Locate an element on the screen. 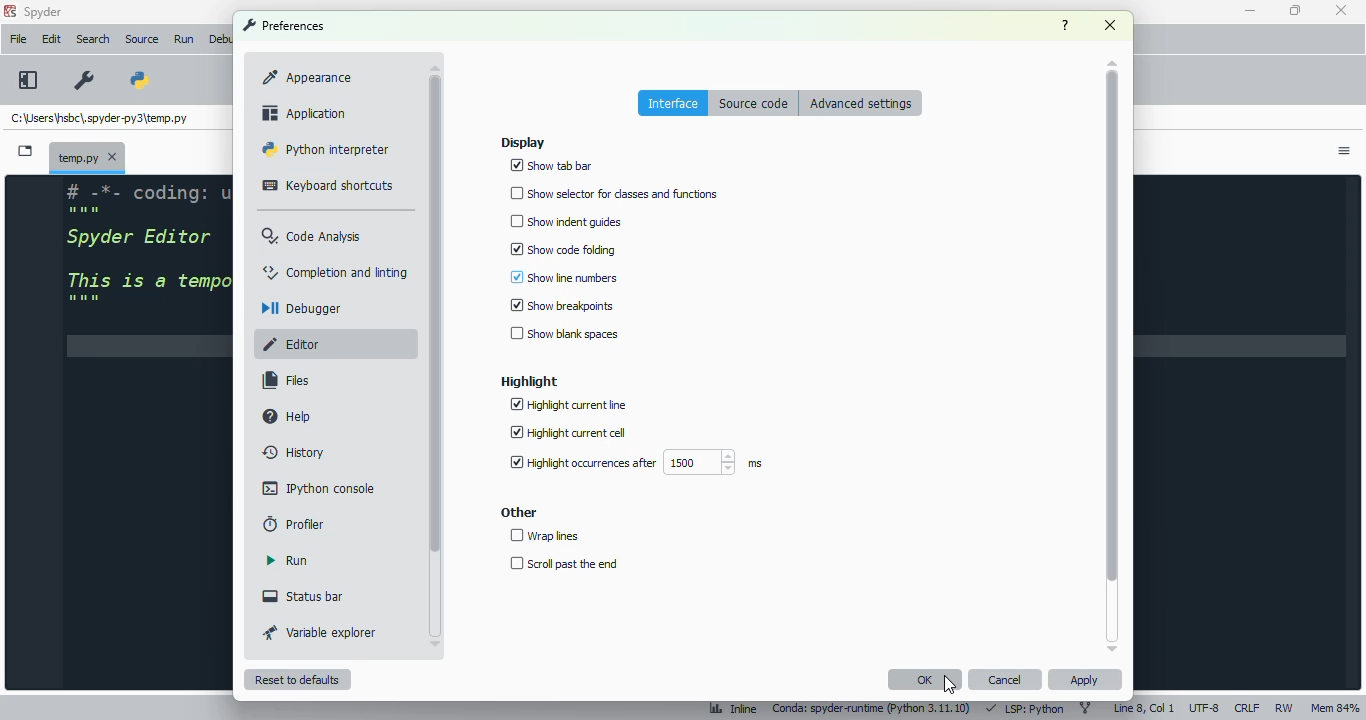 The image size is (1366, 720). highlight occurrences after 1500 ms is located at coordinates (633, 463).